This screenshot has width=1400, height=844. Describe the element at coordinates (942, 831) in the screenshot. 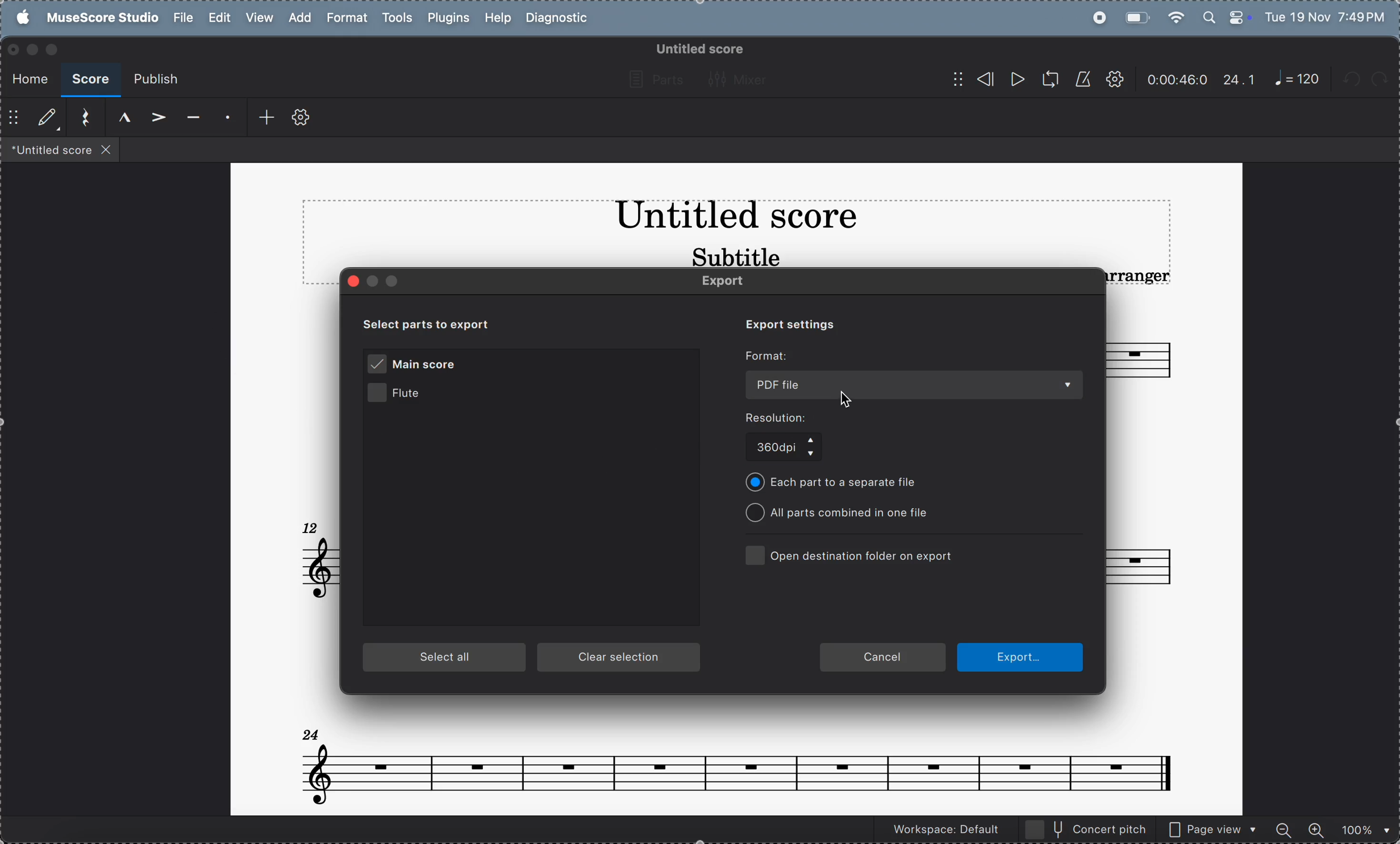

I see `workspace default` at that location.